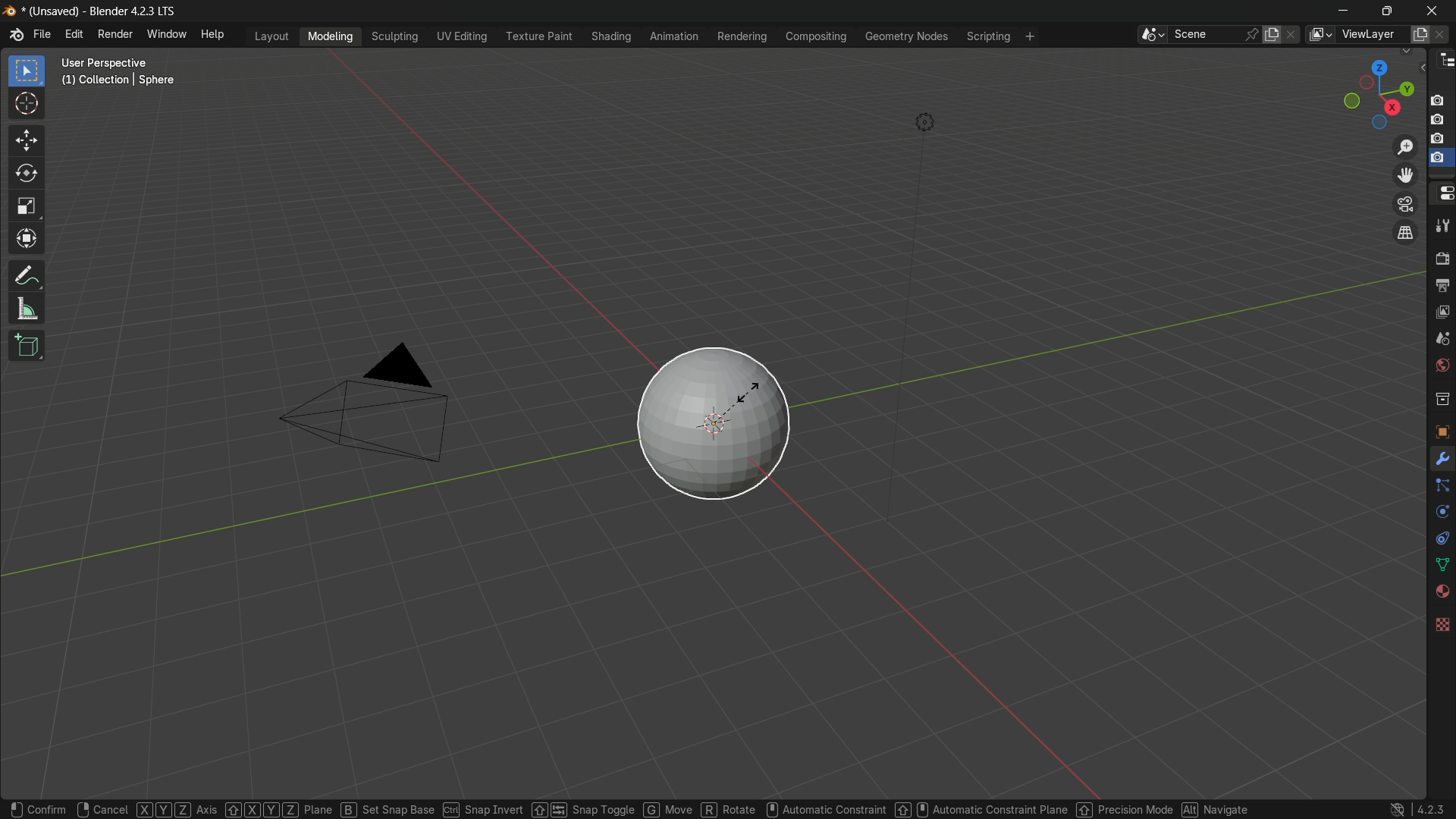 The width and height of the screenshot is (1456, 819). Describe the element at coordinates (1442, 340) in the screenshot. I see `scenes` at that location.